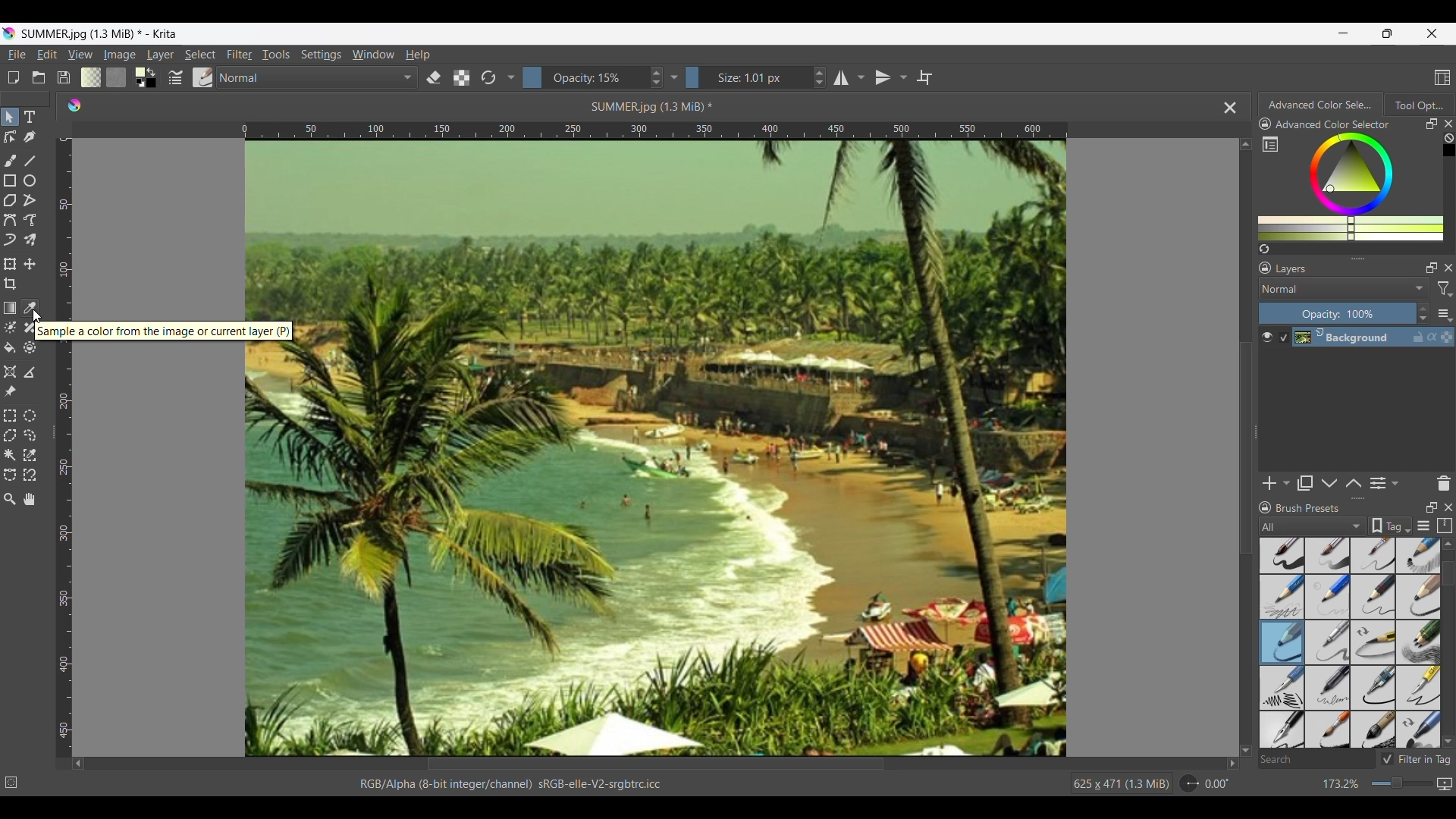  Describe the element at coordinates (29, 499) in the screenshot. I see `Pan tool` at that location.